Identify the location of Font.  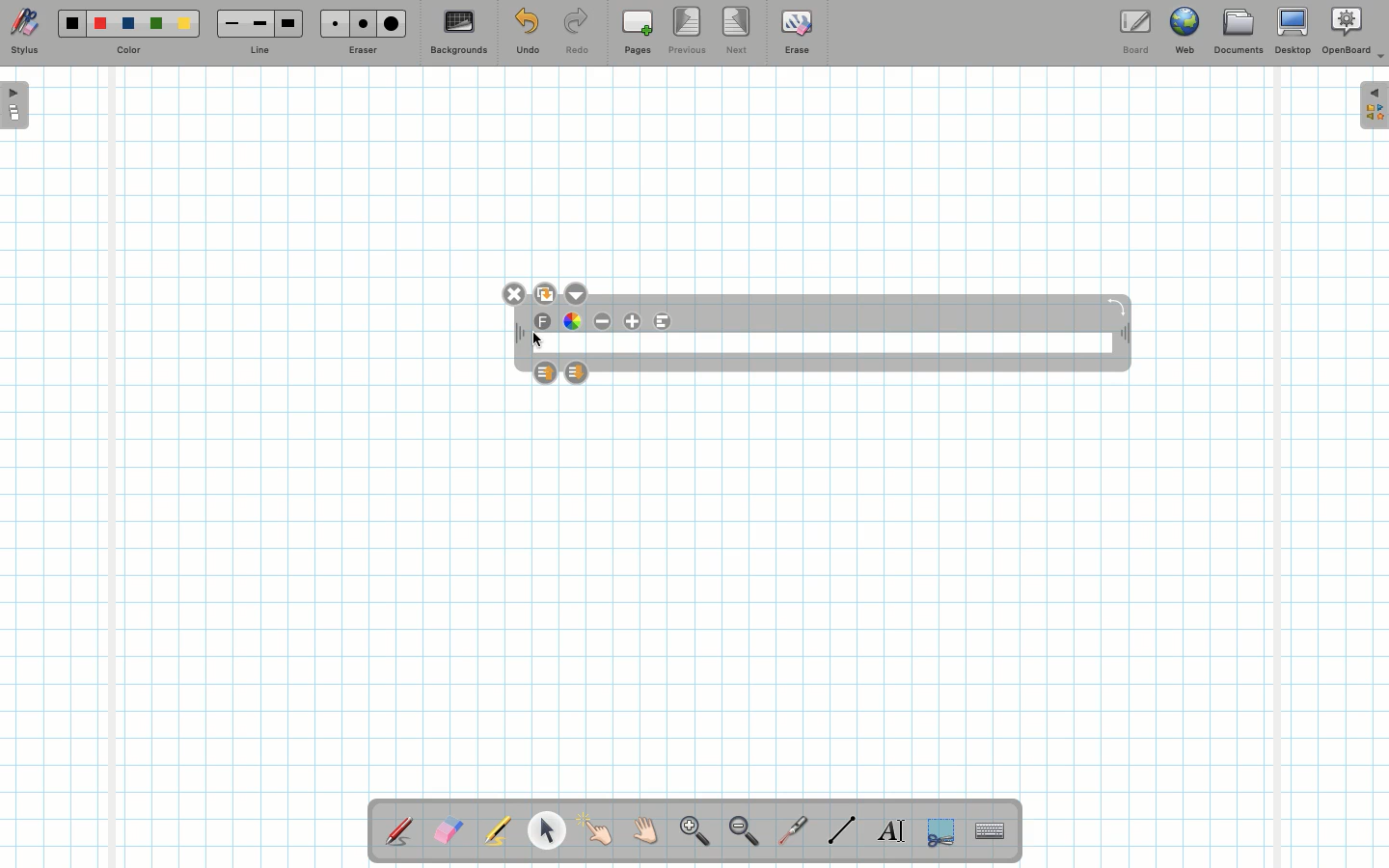
(544, 322).